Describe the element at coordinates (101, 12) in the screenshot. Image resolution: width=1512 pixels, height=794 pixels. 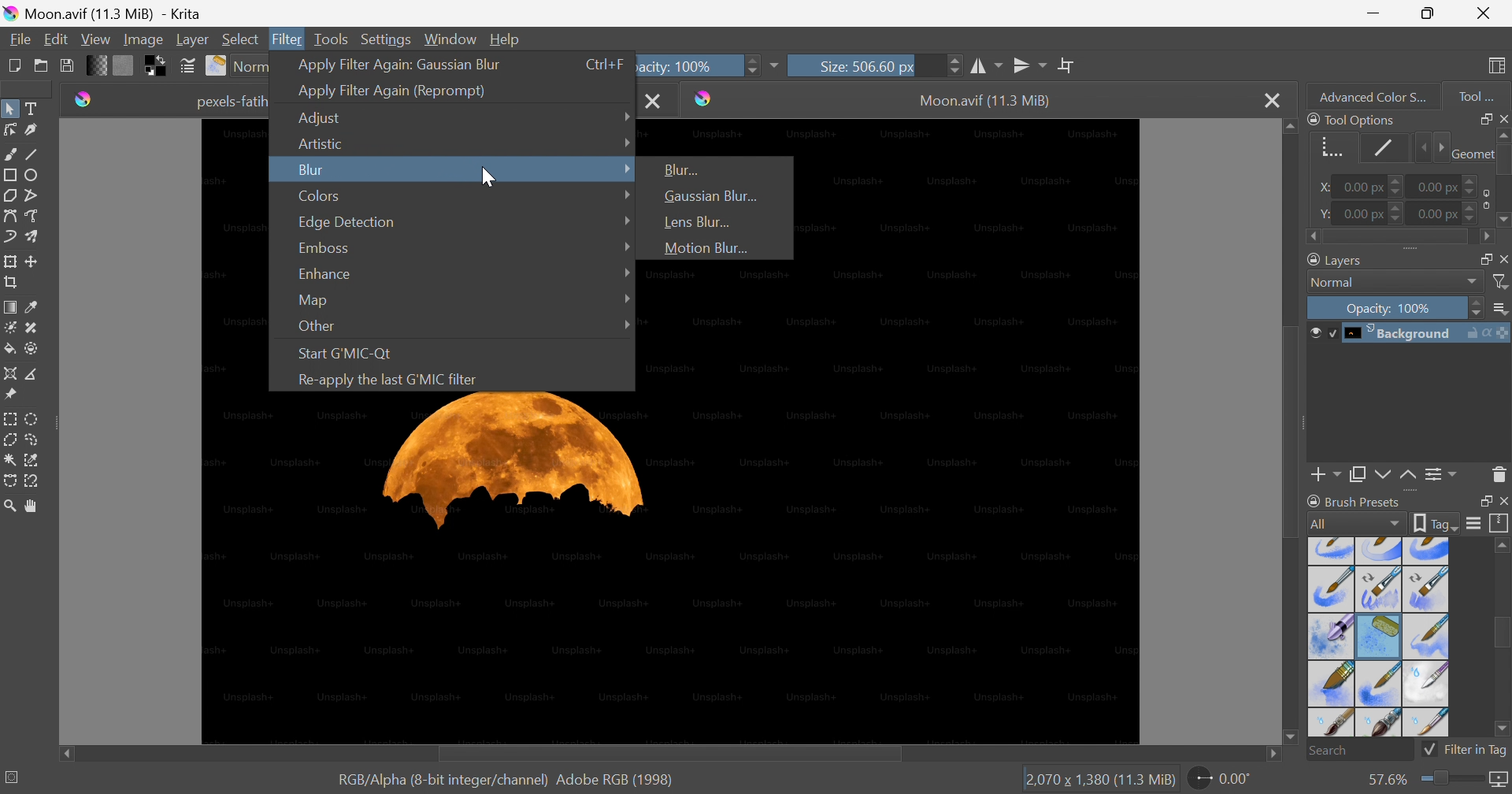
I see `Moon.avif (11.3 MiB - Krita)` at that location.